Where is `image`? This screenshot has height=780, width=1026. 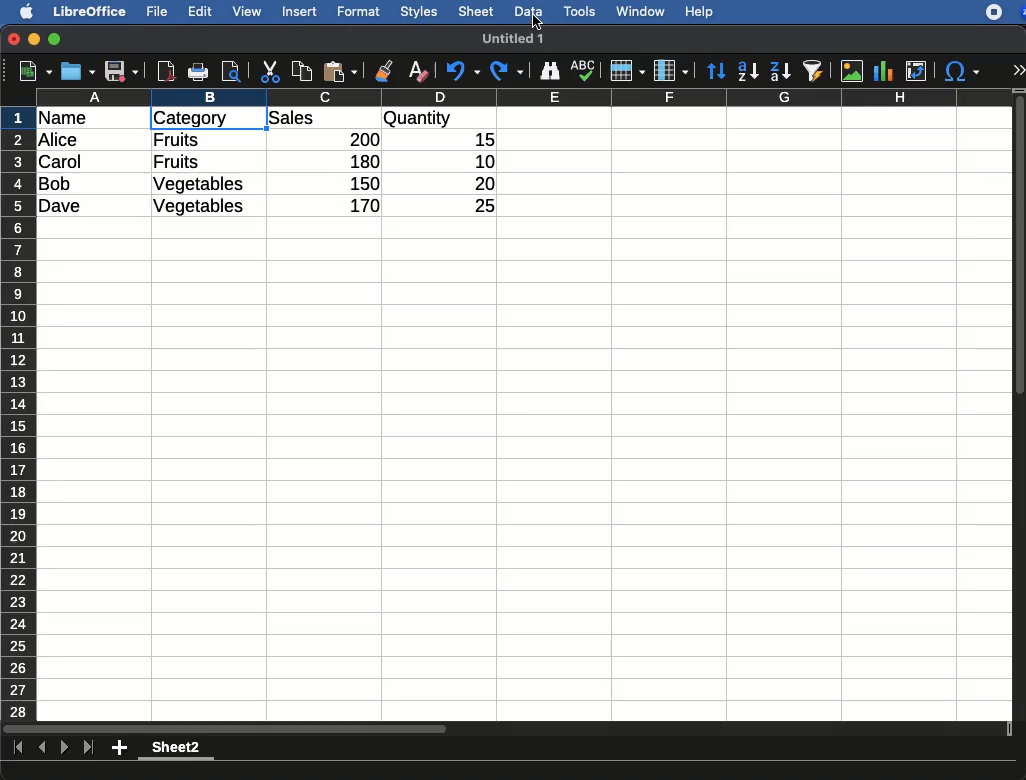
image is located at coordinates (854, 71).